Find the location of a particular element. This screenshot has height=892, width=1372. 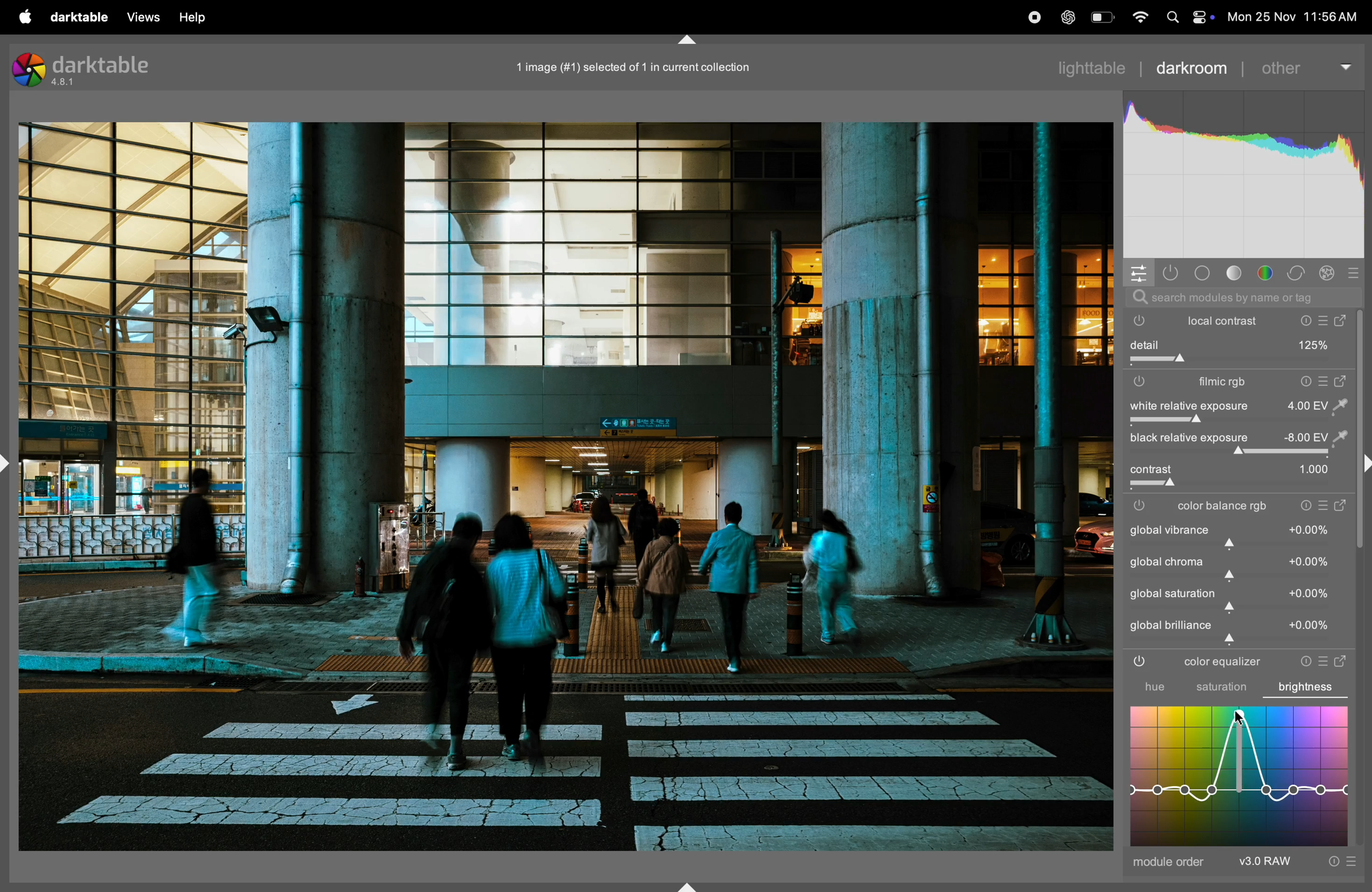

other is located at coordinates (1306, 66).